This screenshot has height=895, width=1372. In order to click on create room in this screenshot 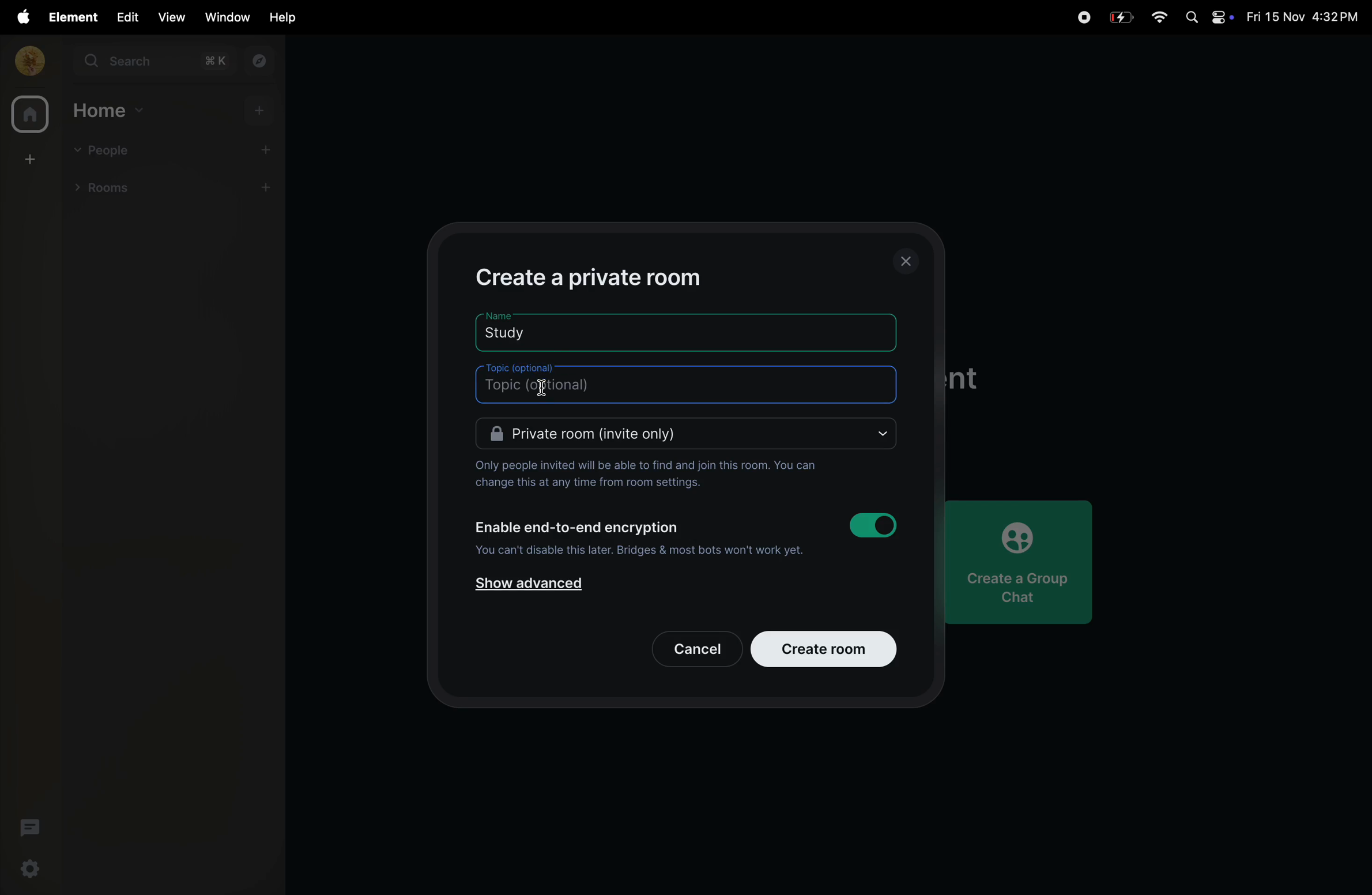, I will do `click(825, 648)`.